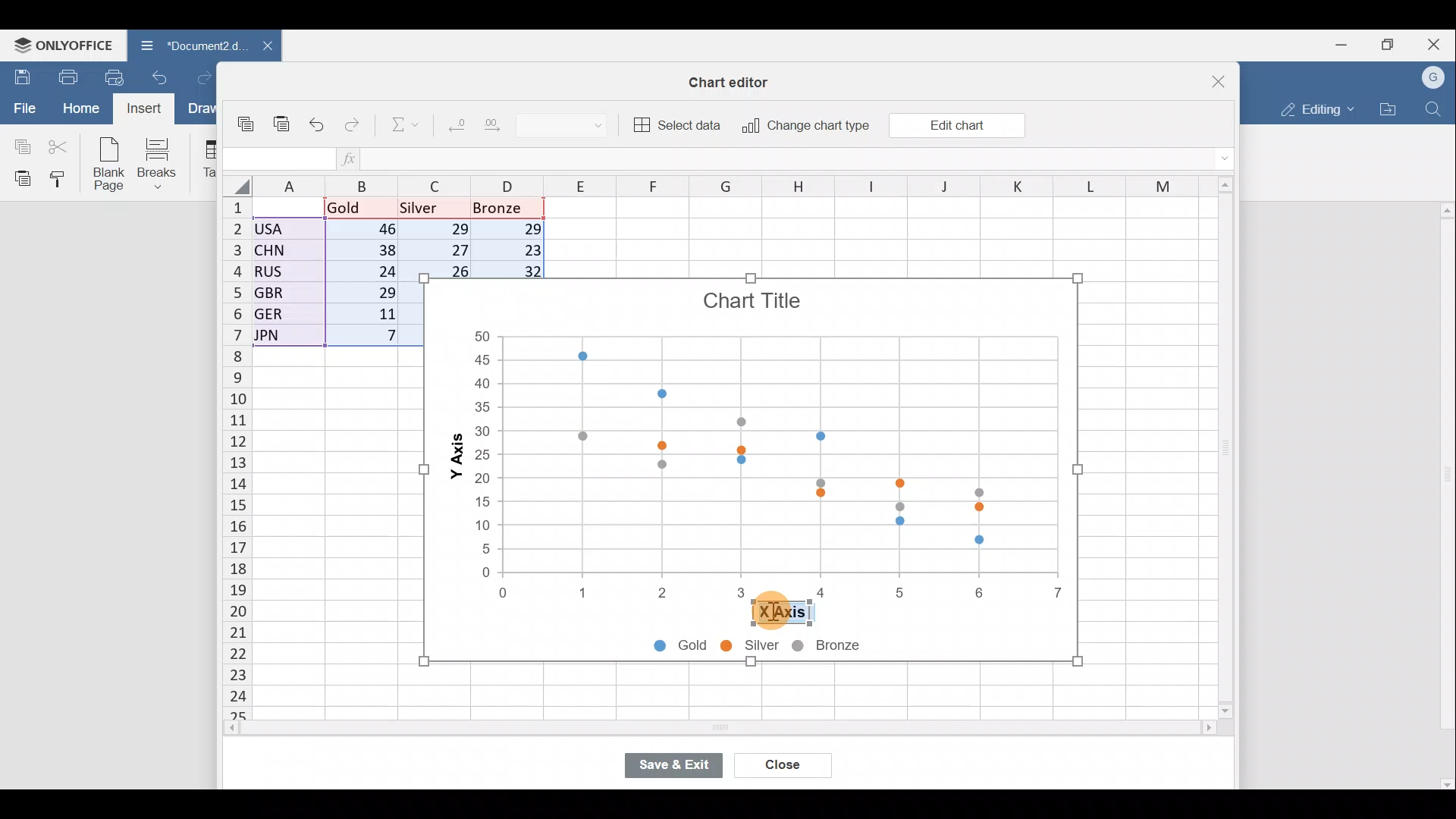 The width and height of the screenshot is (1456, 819). Describe the element at coordinates (80, 110) in the screenshot. I see `Home` at that location.